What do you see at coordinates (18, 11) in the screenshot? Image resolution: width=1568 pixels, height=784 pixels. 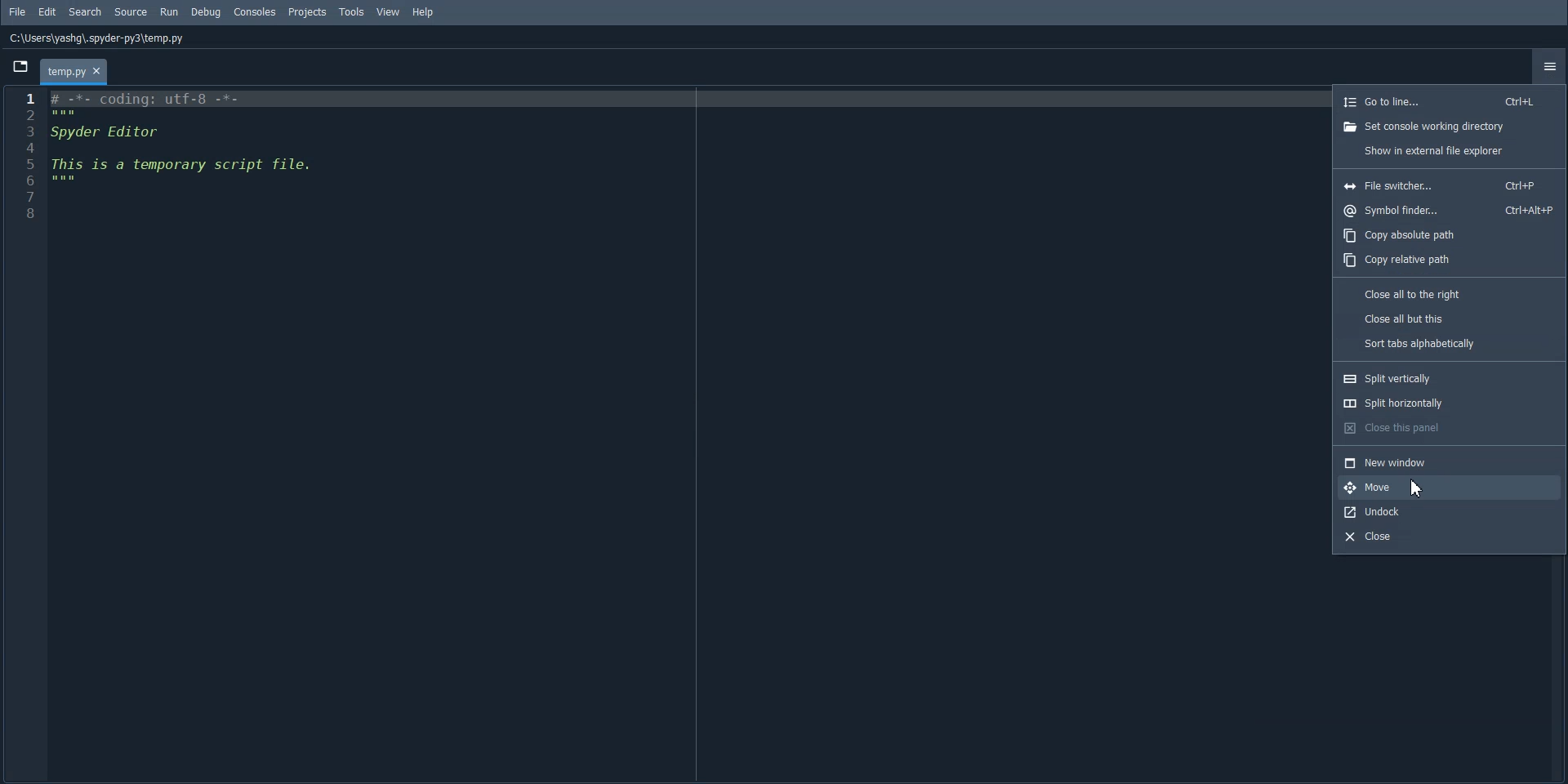 I see `File` at bounding box center [18, 11].